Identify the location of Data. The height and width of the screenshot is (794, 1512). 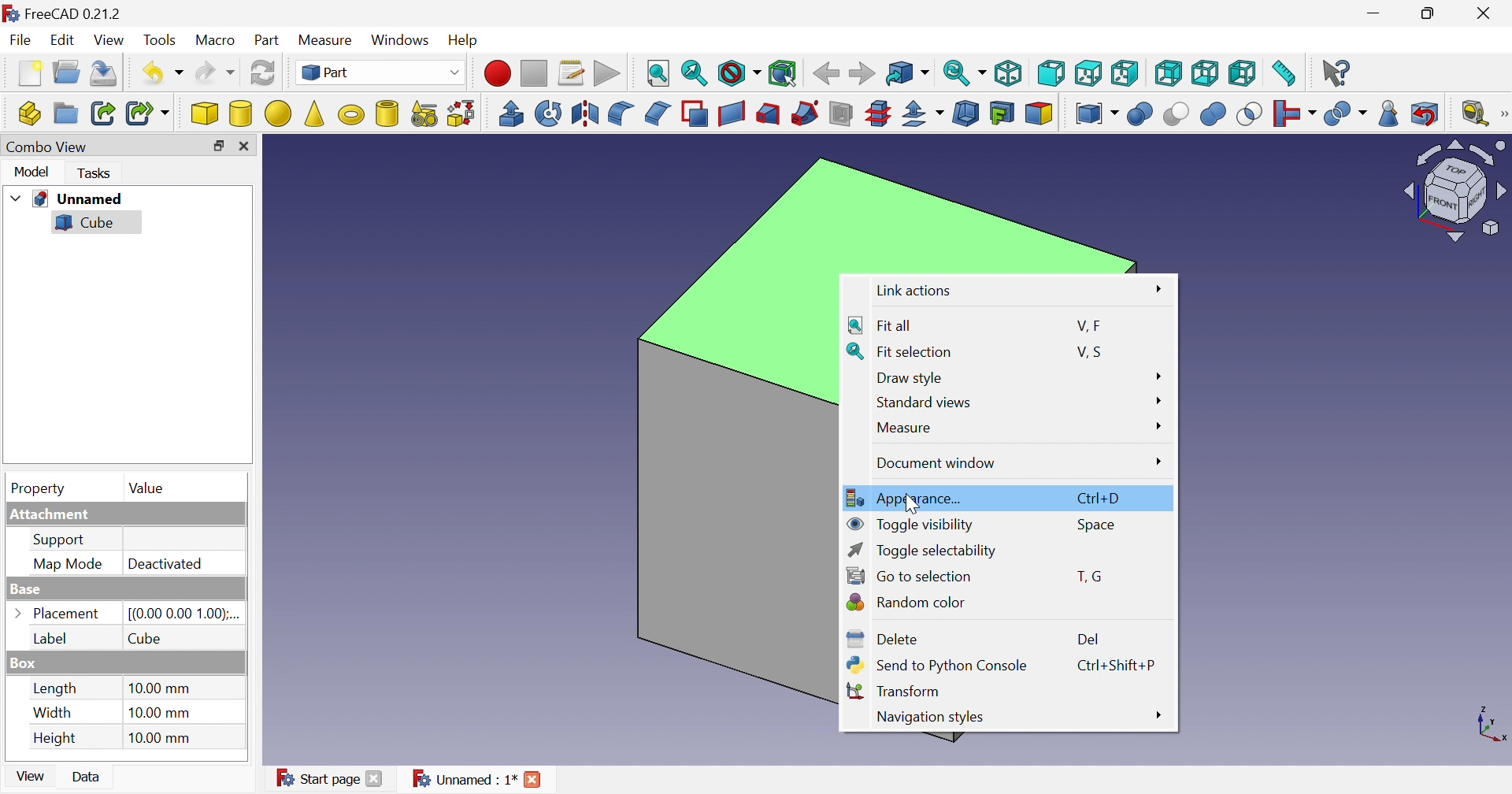
(86, 776).